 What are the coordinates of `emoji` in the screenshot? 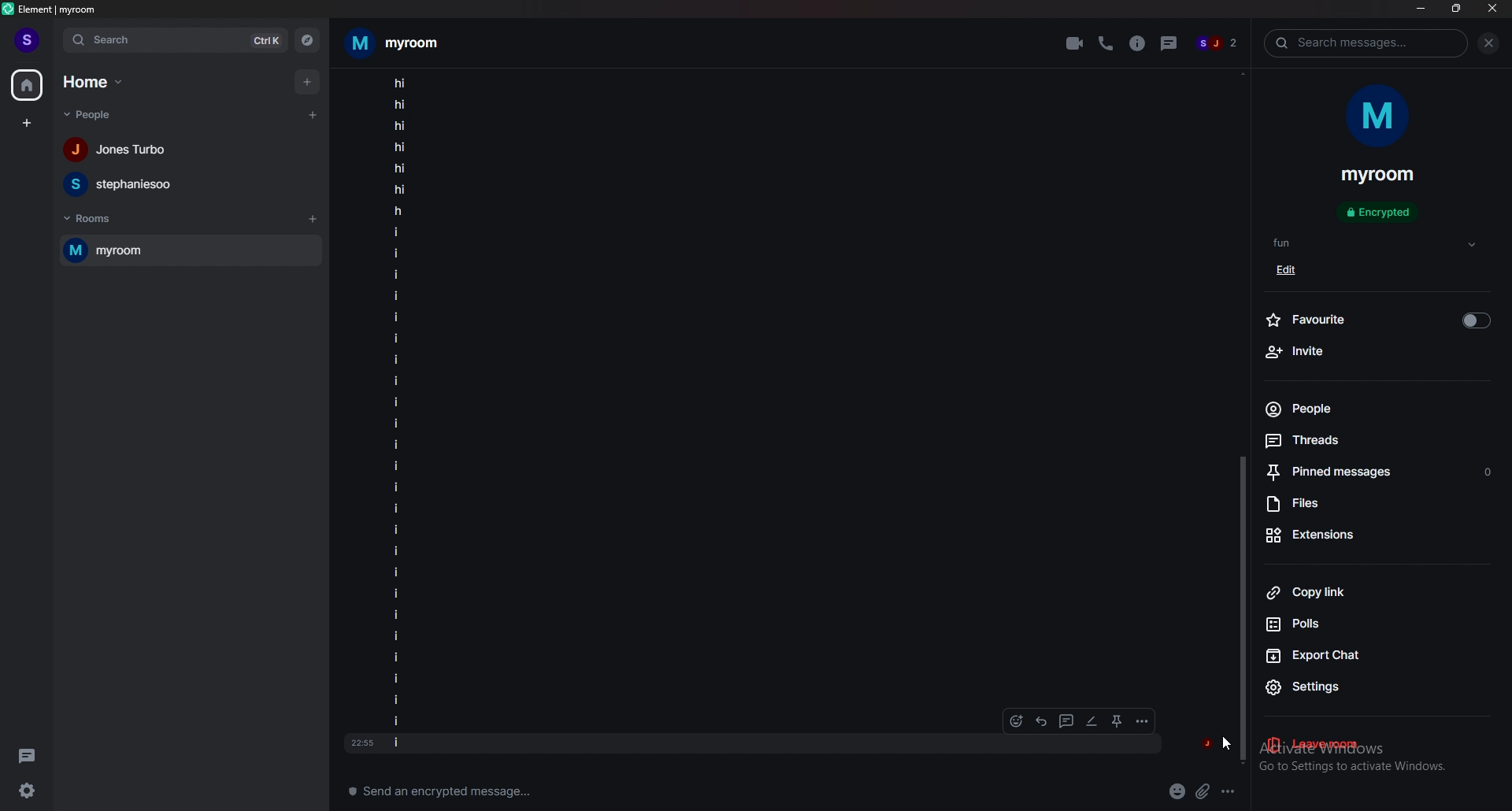 It's located at (1177, 791).